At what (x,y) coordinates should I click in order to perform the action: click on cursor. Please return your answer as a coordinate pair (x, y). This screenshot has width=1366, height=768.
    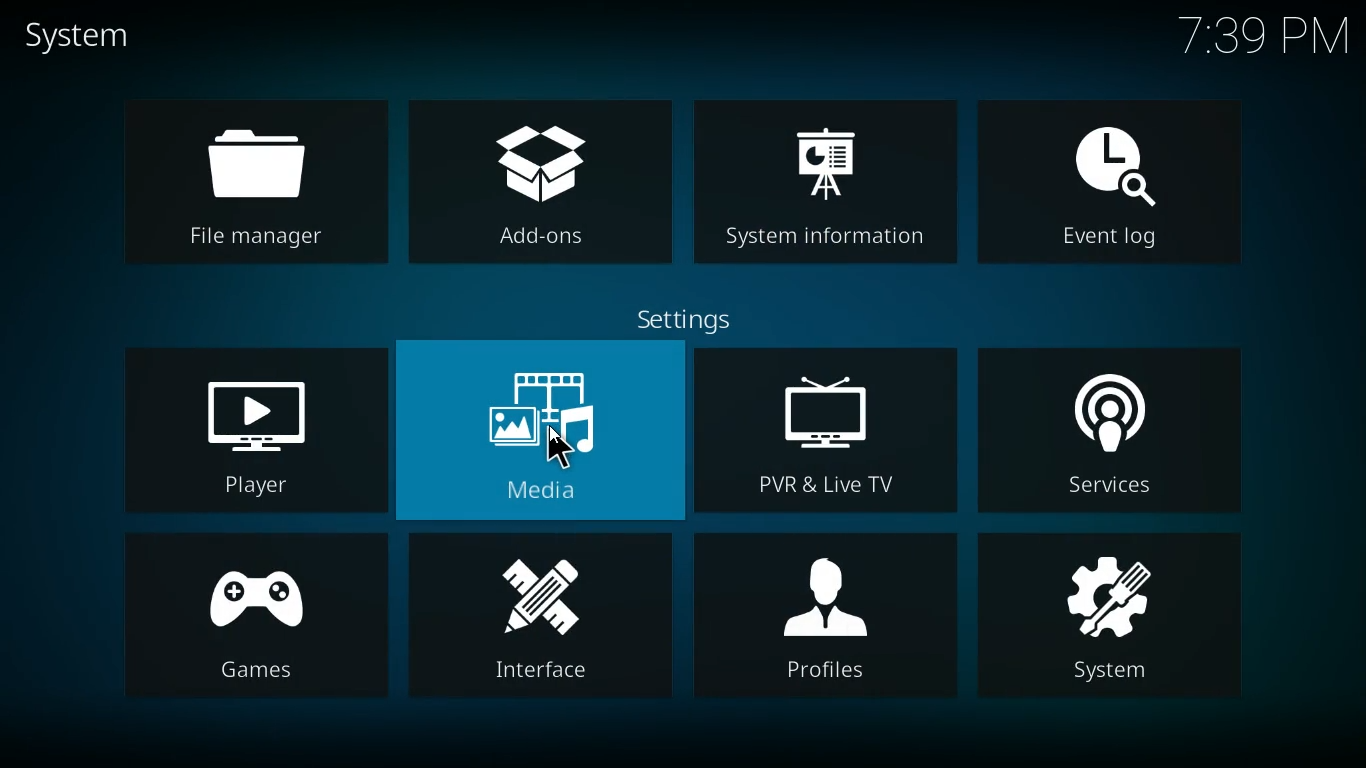
    Looking at the image, I should click on (566, 448).